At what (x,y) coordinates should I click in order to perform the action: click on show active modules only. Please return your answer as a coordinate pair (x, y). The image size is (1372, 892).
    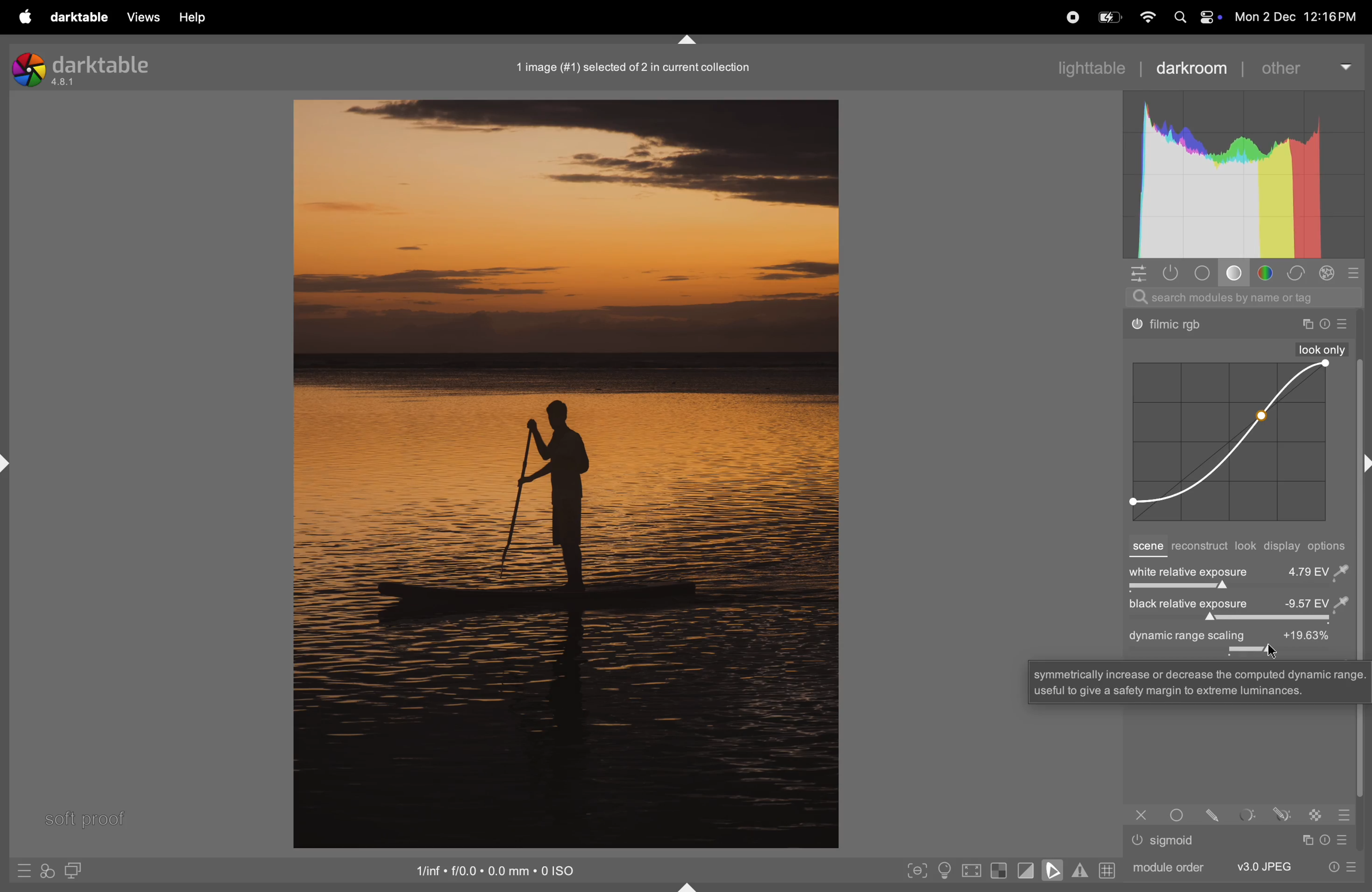
    Looking at the image, I should click on (1173, 273).